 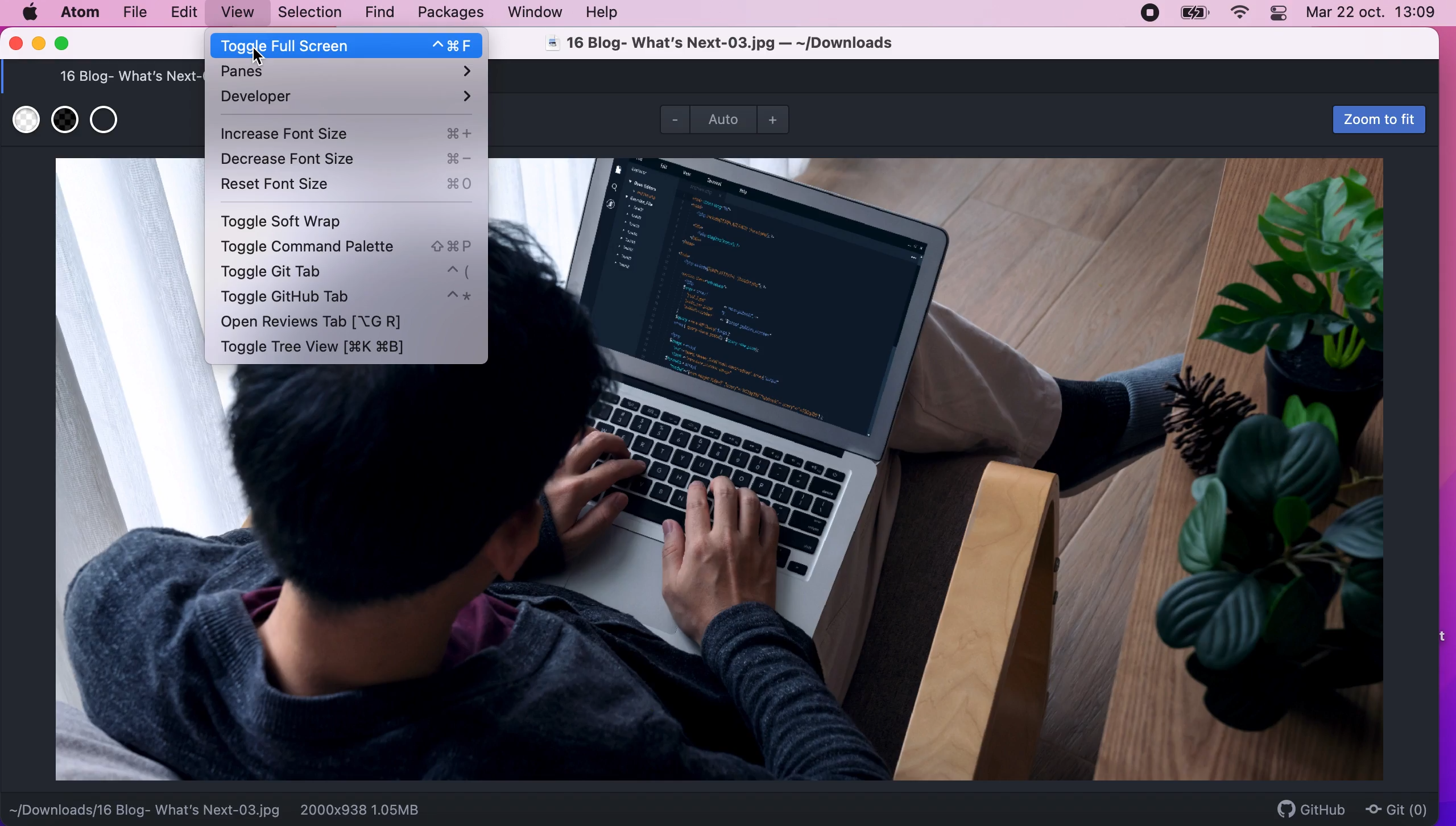 What do you see at coordinates (350, 187) in the screenshot?
I see `reset font size` at bounding box center [350, 187].